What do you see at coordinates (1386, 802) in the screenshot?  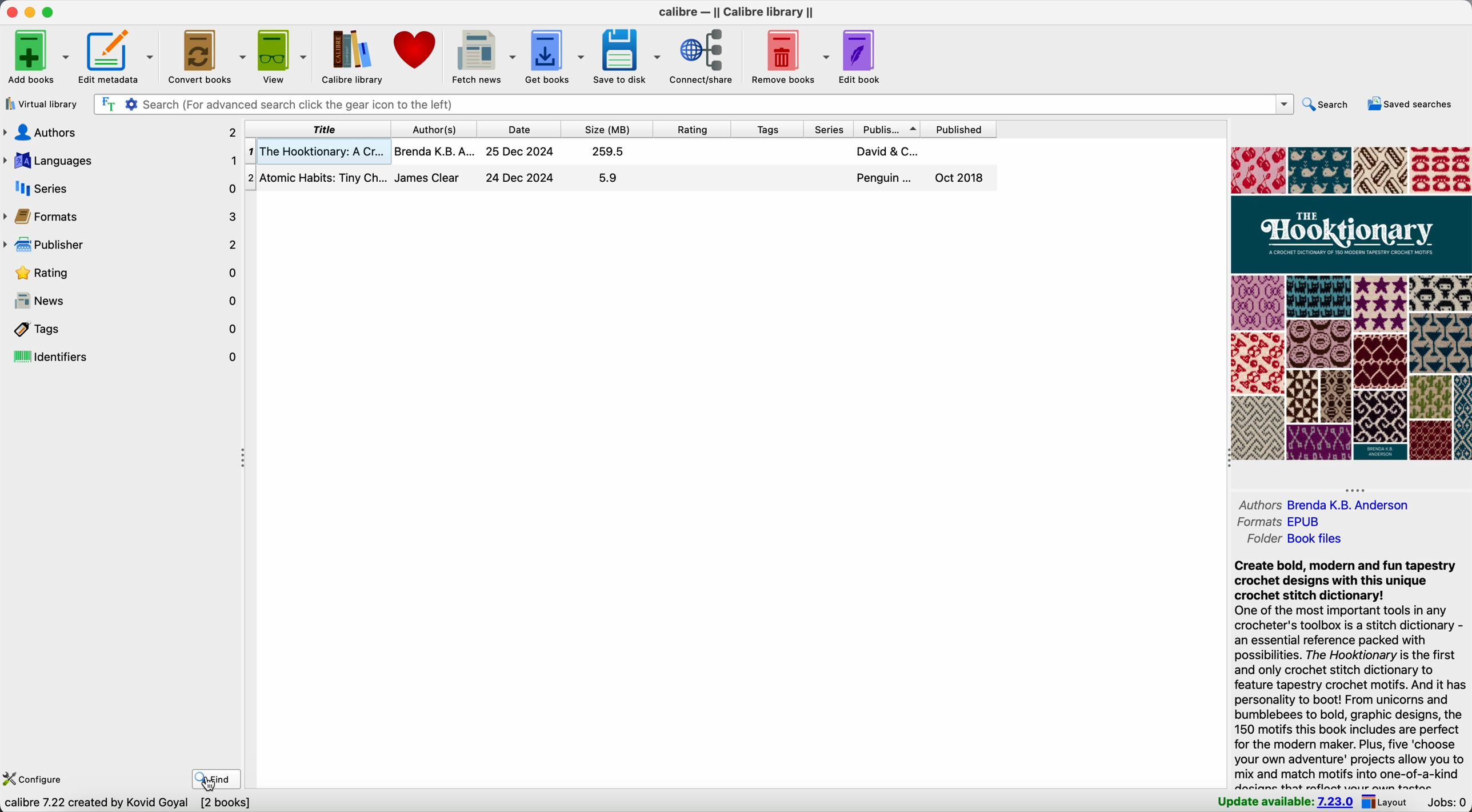 I see `layout` at bounding box center [1386, 802].